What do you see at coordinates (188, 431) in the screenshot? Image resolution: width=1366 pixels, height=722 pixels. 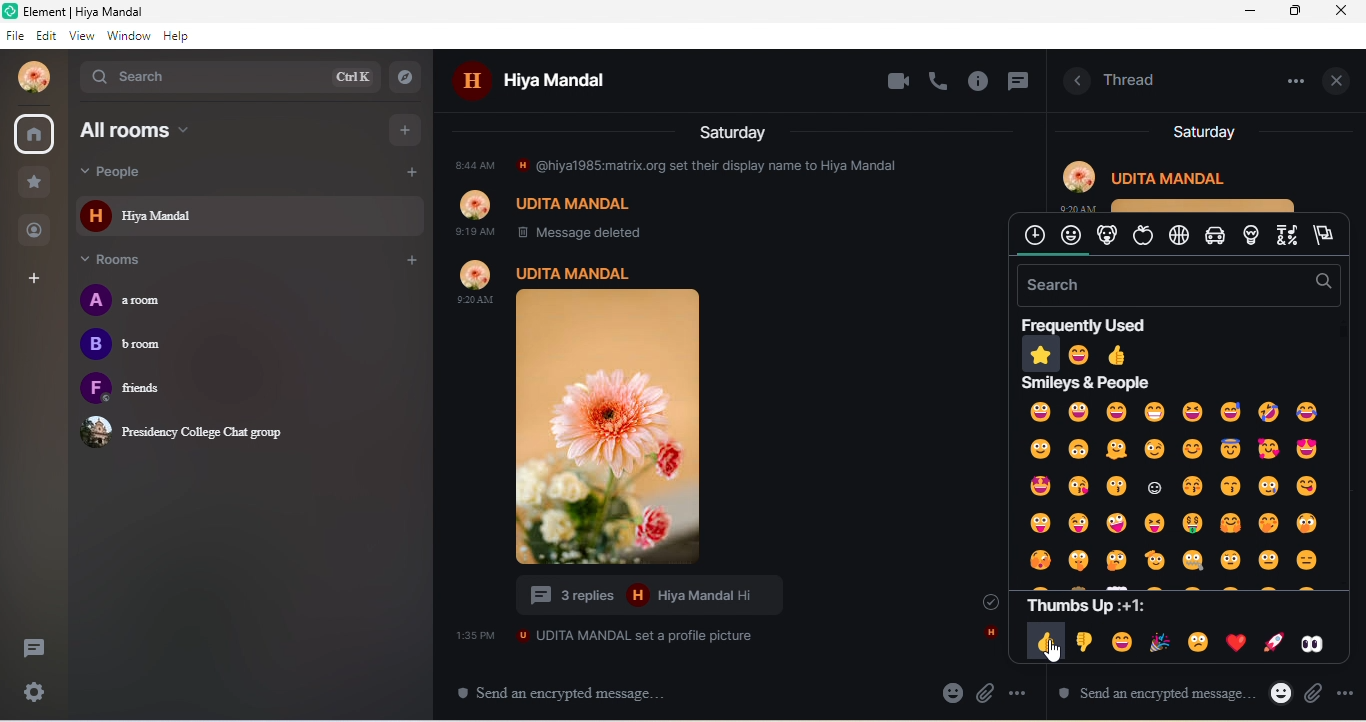 I see `presidency college chat group` at bounding box center [188, 431].